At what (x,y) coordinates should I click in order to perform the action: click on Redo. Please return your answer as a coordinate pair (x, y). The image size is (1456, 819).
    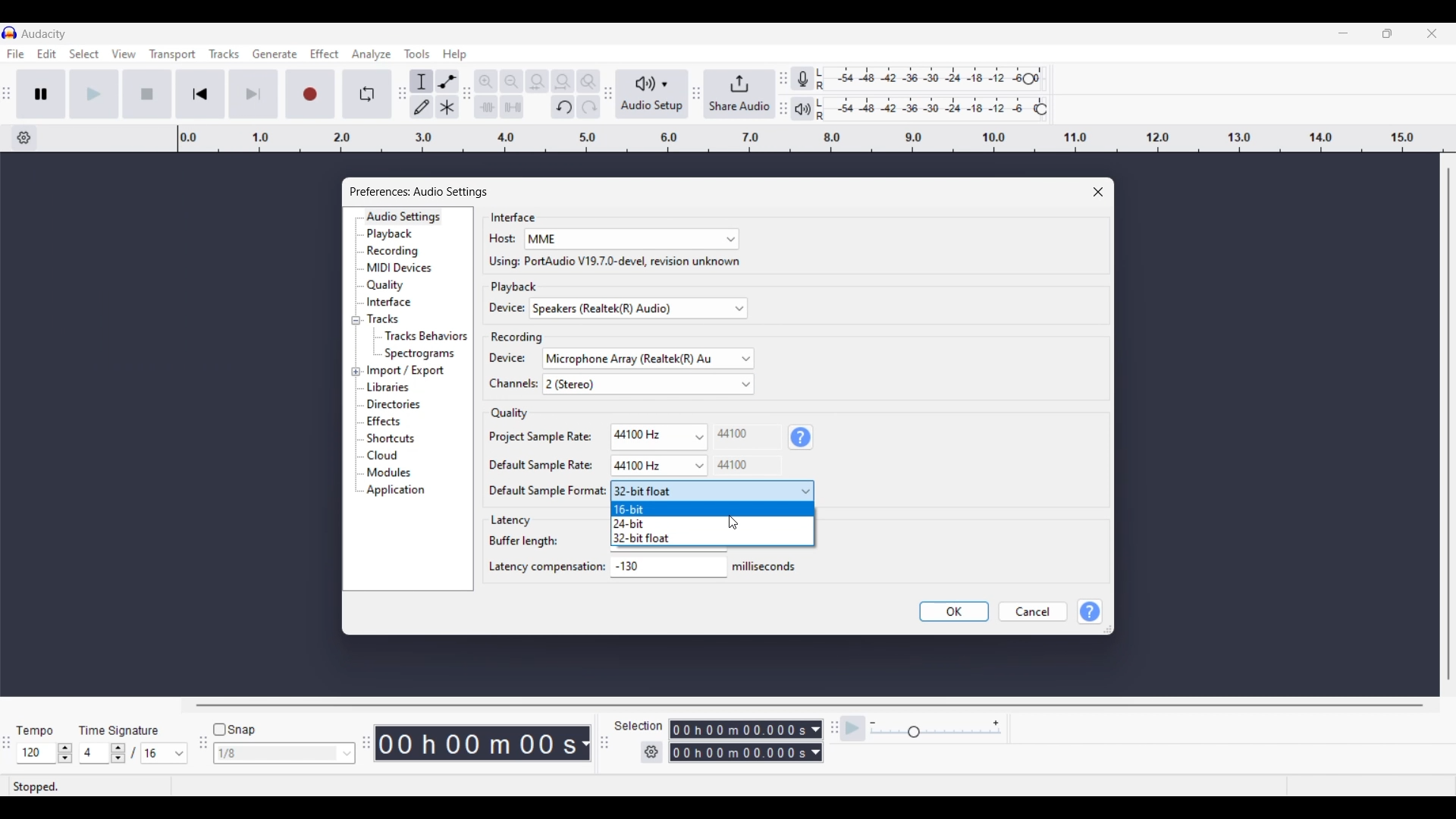
    Looking at the image, I should click on (588, 106).